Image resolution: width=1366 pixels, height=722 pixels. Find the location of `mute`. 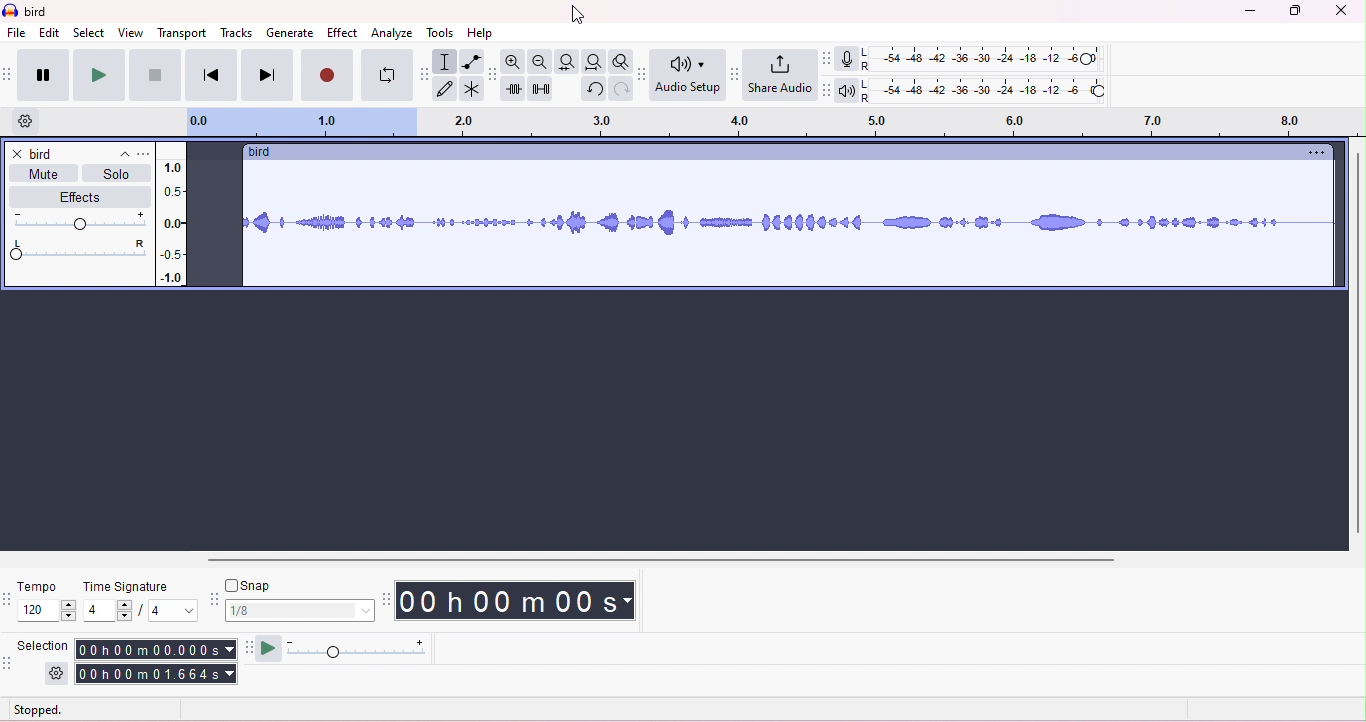

mute is located at coordinates (44, 177).